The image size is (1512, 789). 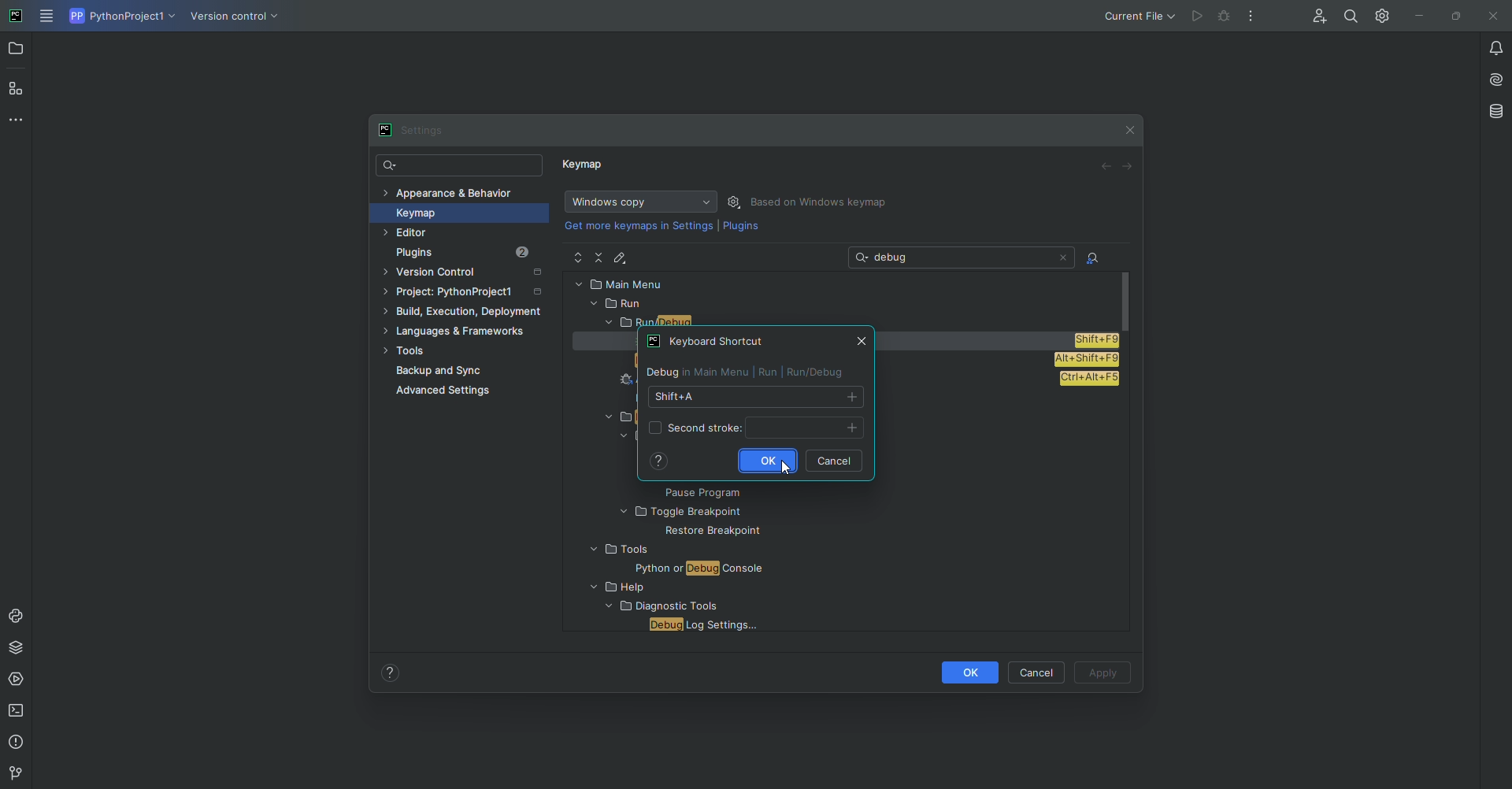 What do you see at coordinates (461, 332) in the screenshot?
I see `Languages and Framework` at bounding box center [461, 332].